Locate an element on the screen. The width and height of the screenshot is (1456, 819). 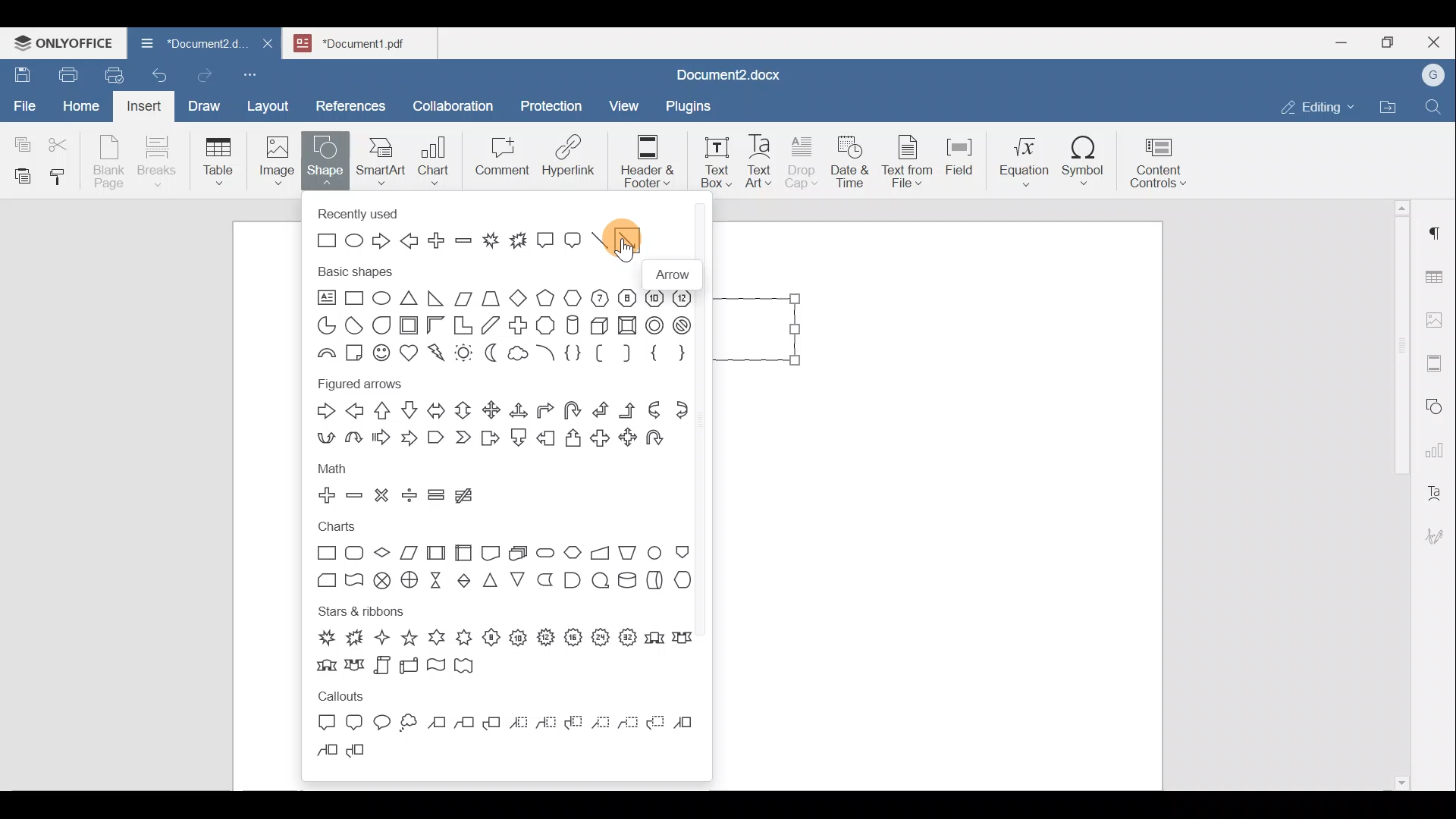
Close is located at coordinates (1432, 40).